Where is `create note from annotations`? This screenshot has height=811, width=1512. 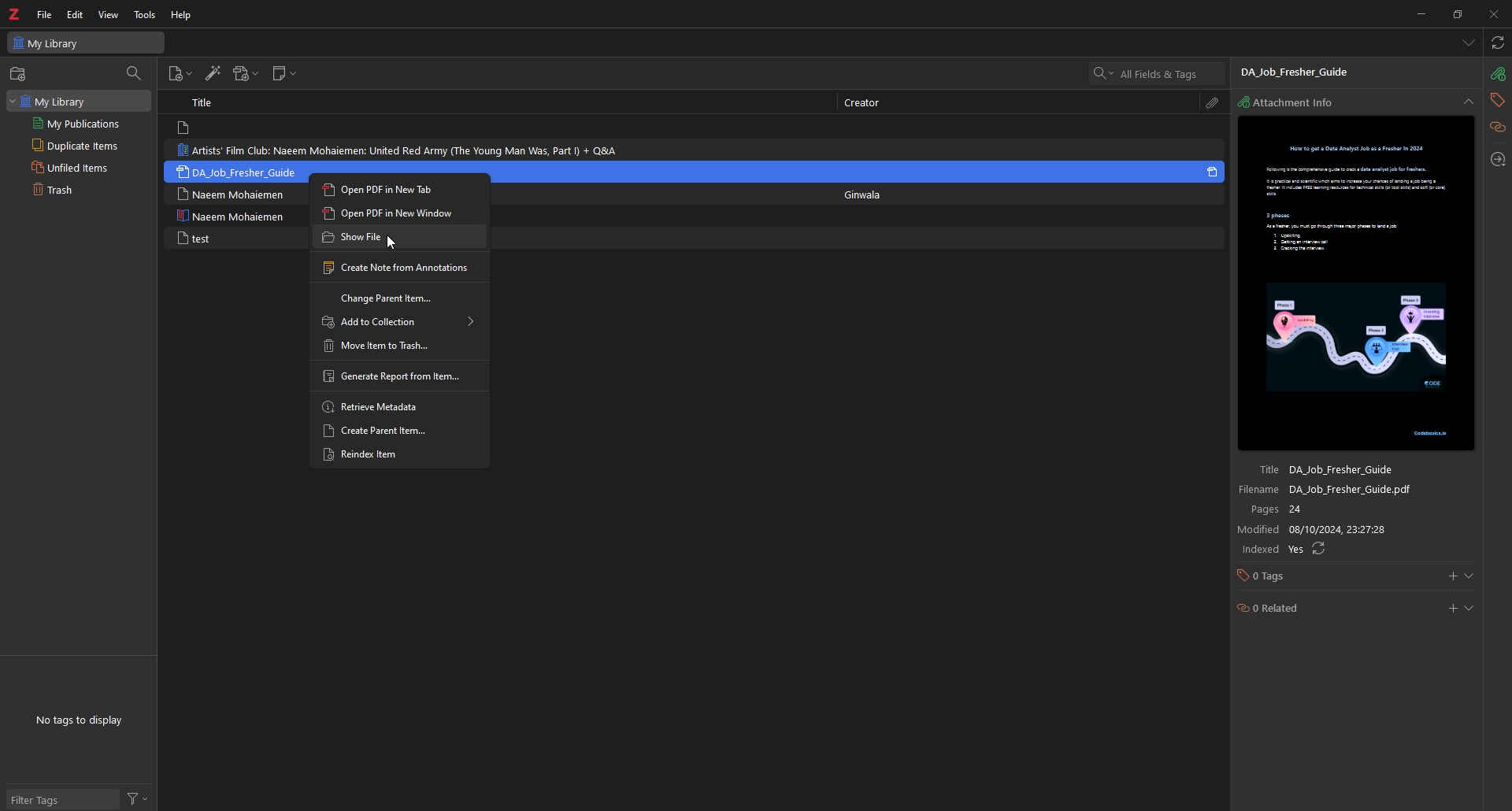
create note from annotations is located at coordinates (402, 268).